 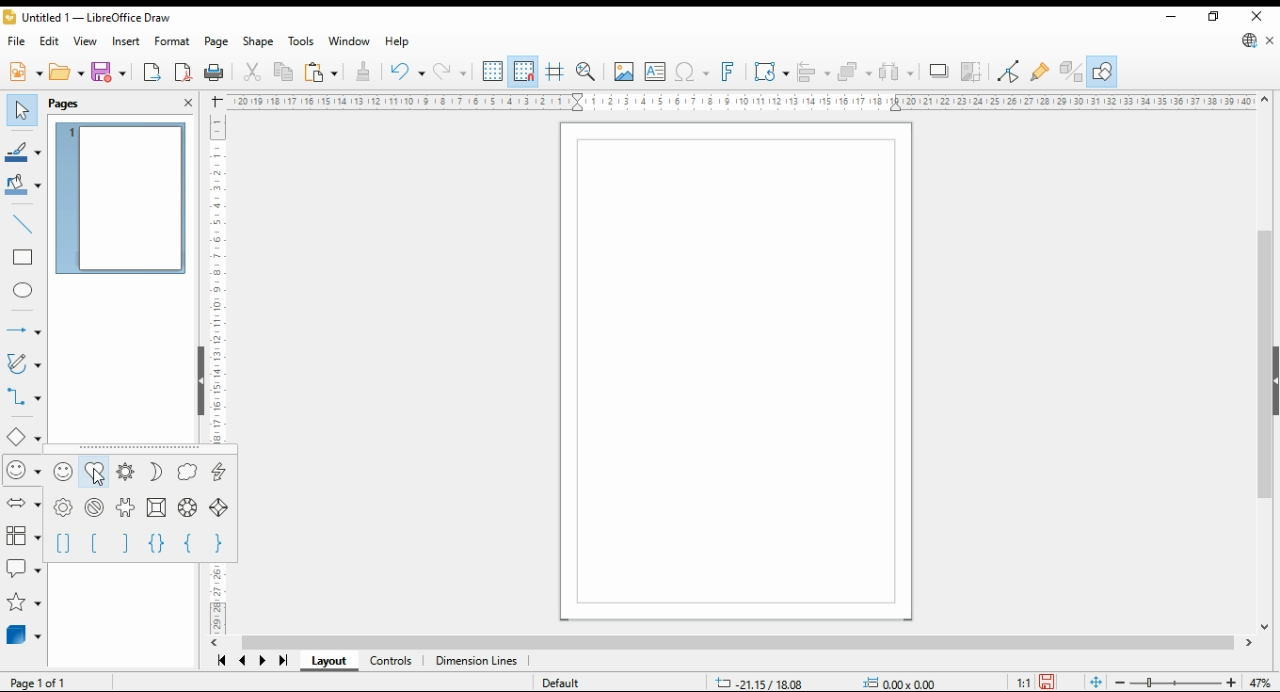 What do you see at coordinates (556, 72) in the screenshot?
I see `helplines while moving` at bounding box center [556, 72].